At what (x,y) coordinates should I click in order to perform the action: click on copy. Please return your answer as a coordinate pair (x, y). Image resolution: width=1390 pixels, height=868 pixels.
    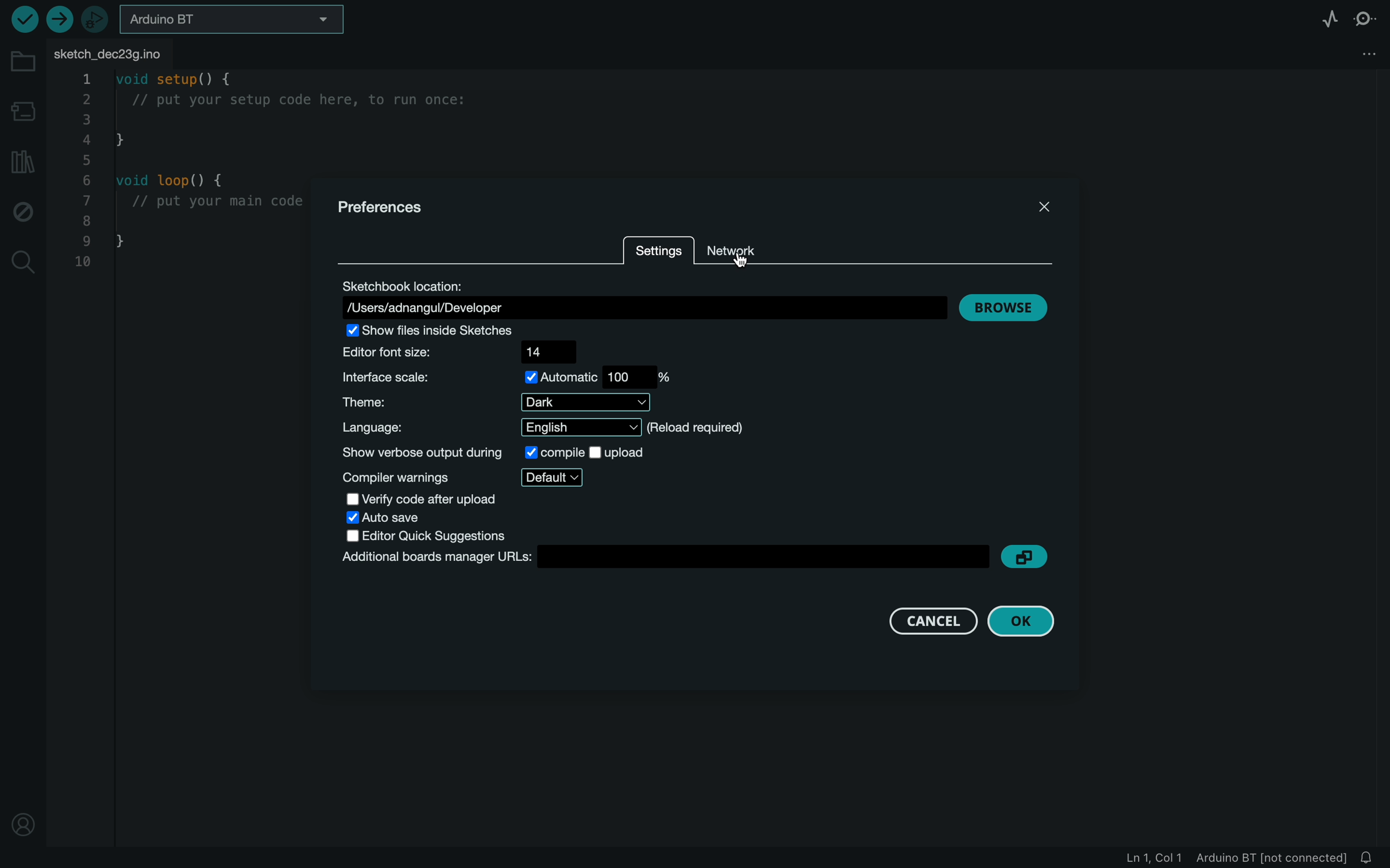
    Looking at the image, I should click on (1030, 555).